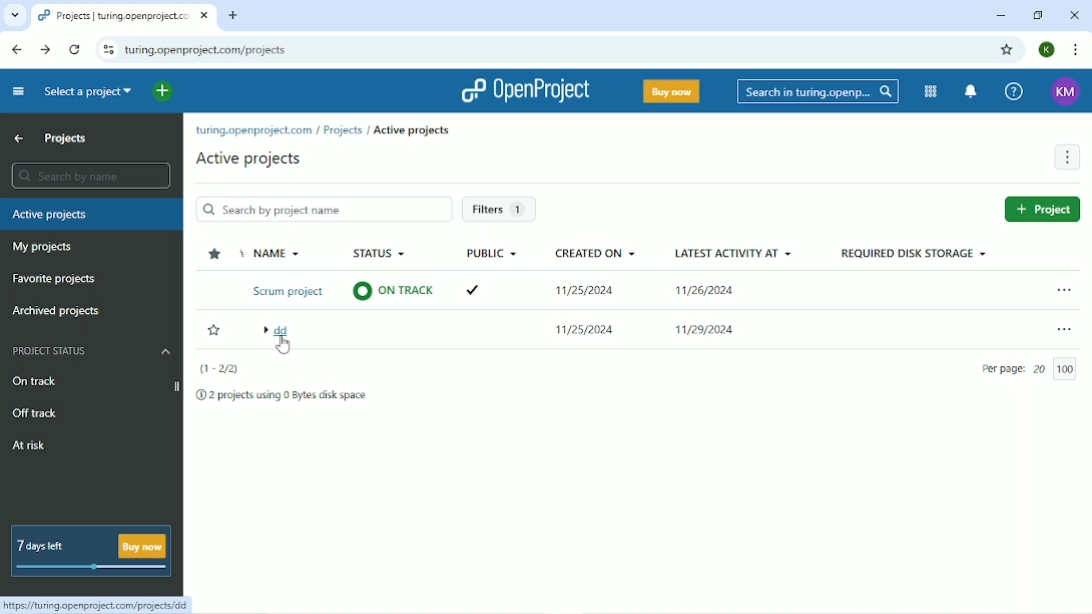 The width and height of the screenshot is (1092, 614). I want to click on Forward, so click(45, 50).